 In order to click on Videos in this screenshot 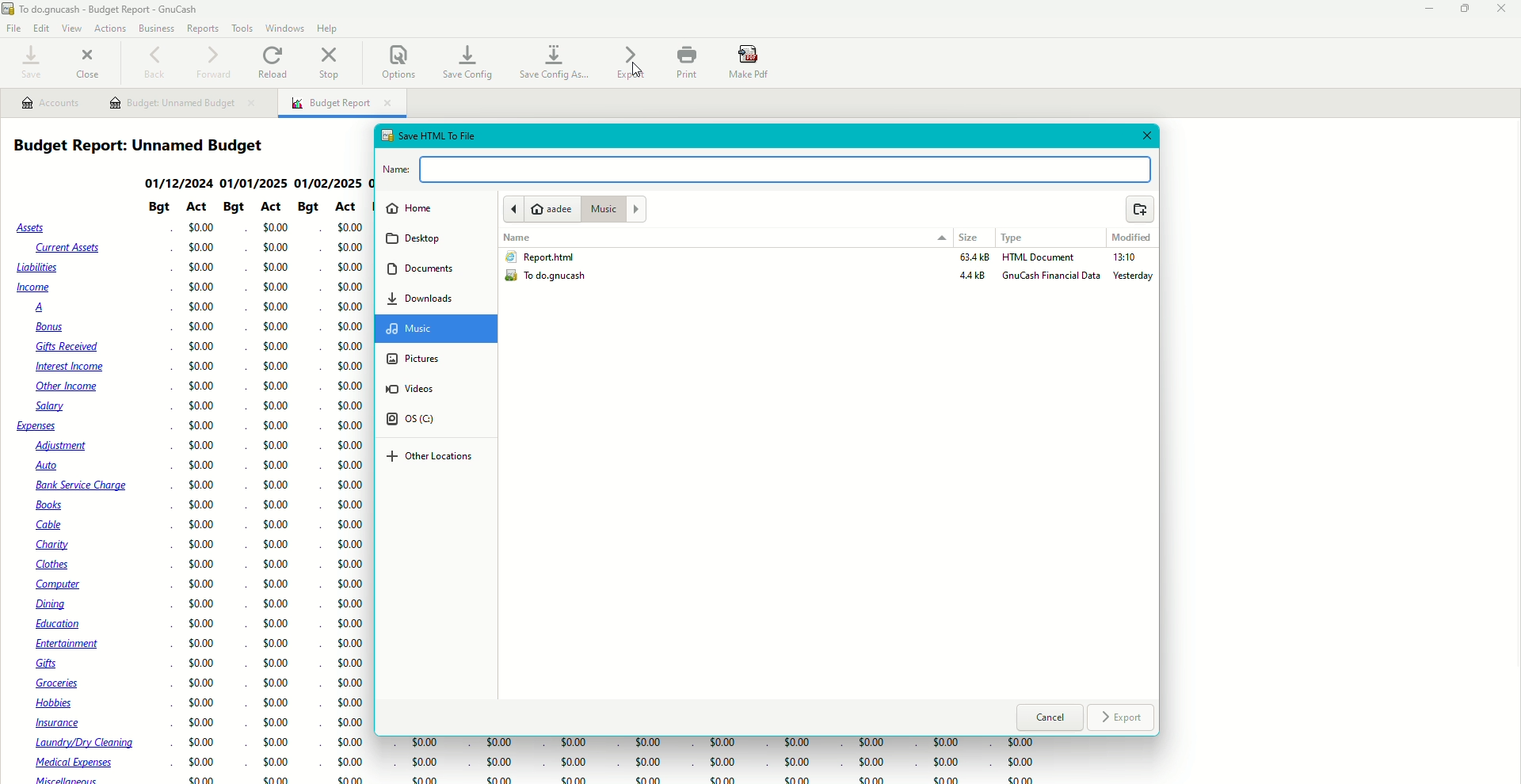, I will do `click(420, 389)`.